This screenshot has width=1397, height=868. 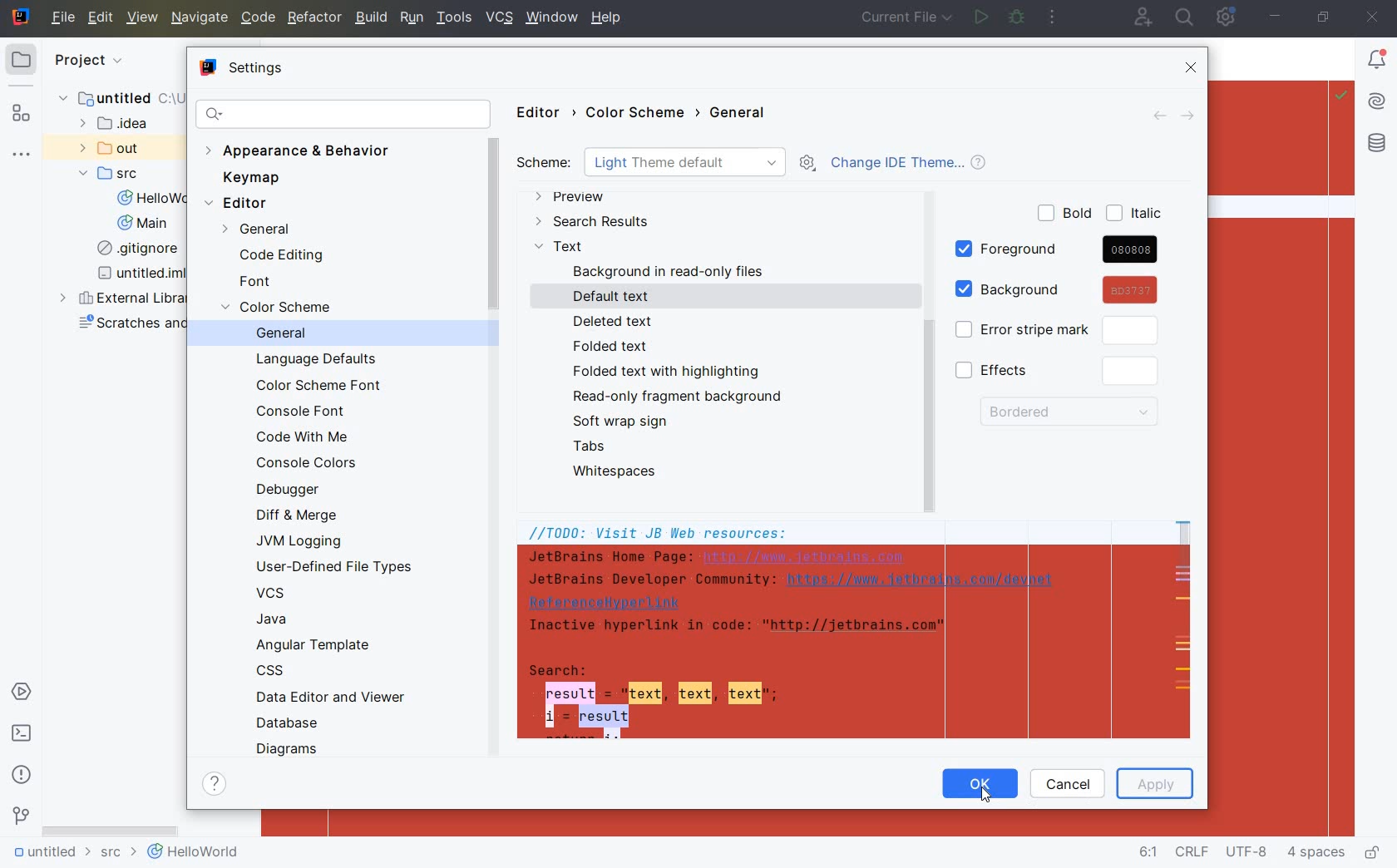 What do you see at coordinates (1057, 250) in the screenshot?
I see `FOREGROUND` at bounding box center [1057, 250].